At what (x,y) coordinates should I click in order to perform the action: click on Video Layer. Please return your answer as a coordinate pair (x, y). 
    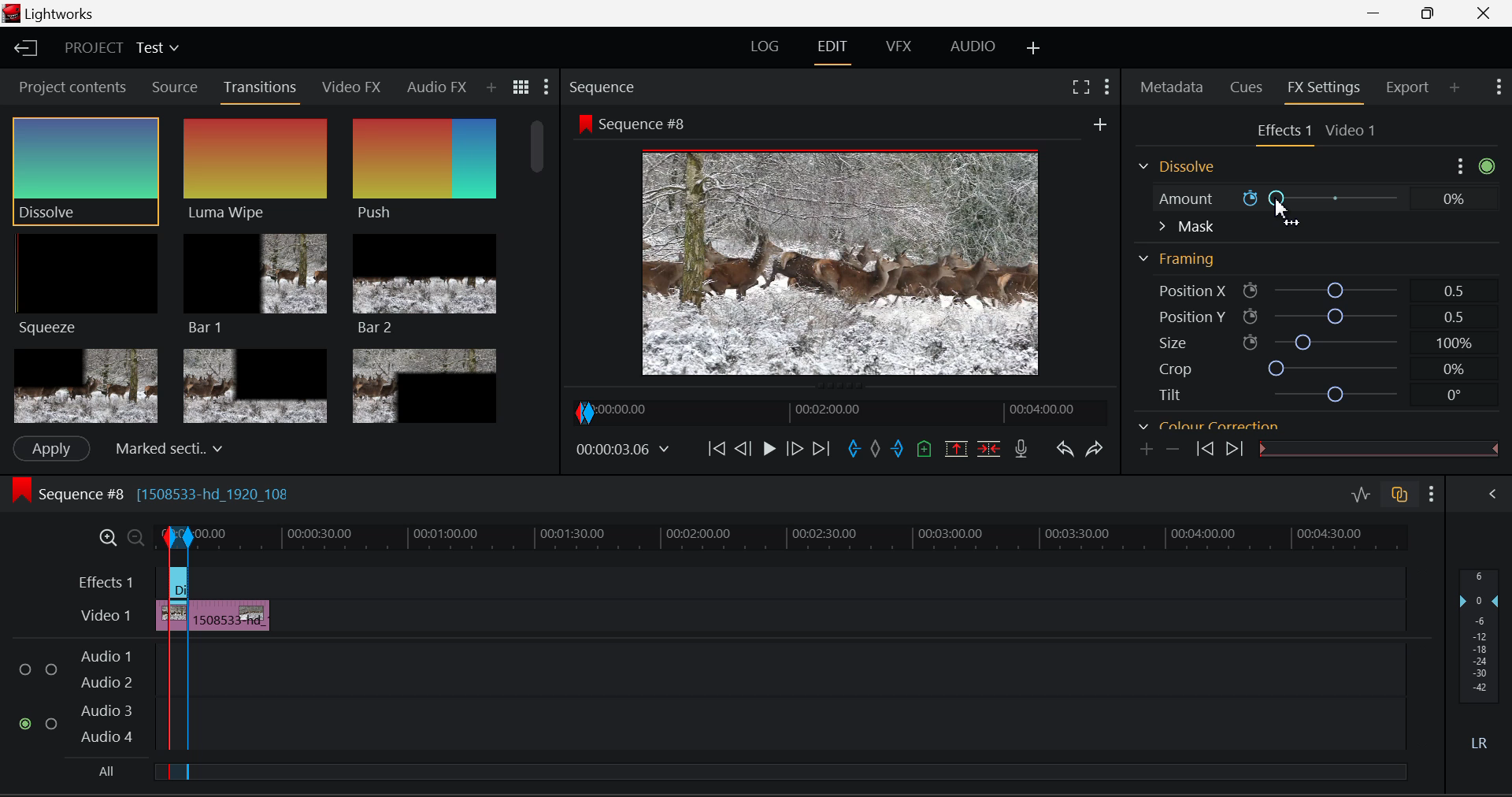
    Looking at the image, I should click on (106, 617).